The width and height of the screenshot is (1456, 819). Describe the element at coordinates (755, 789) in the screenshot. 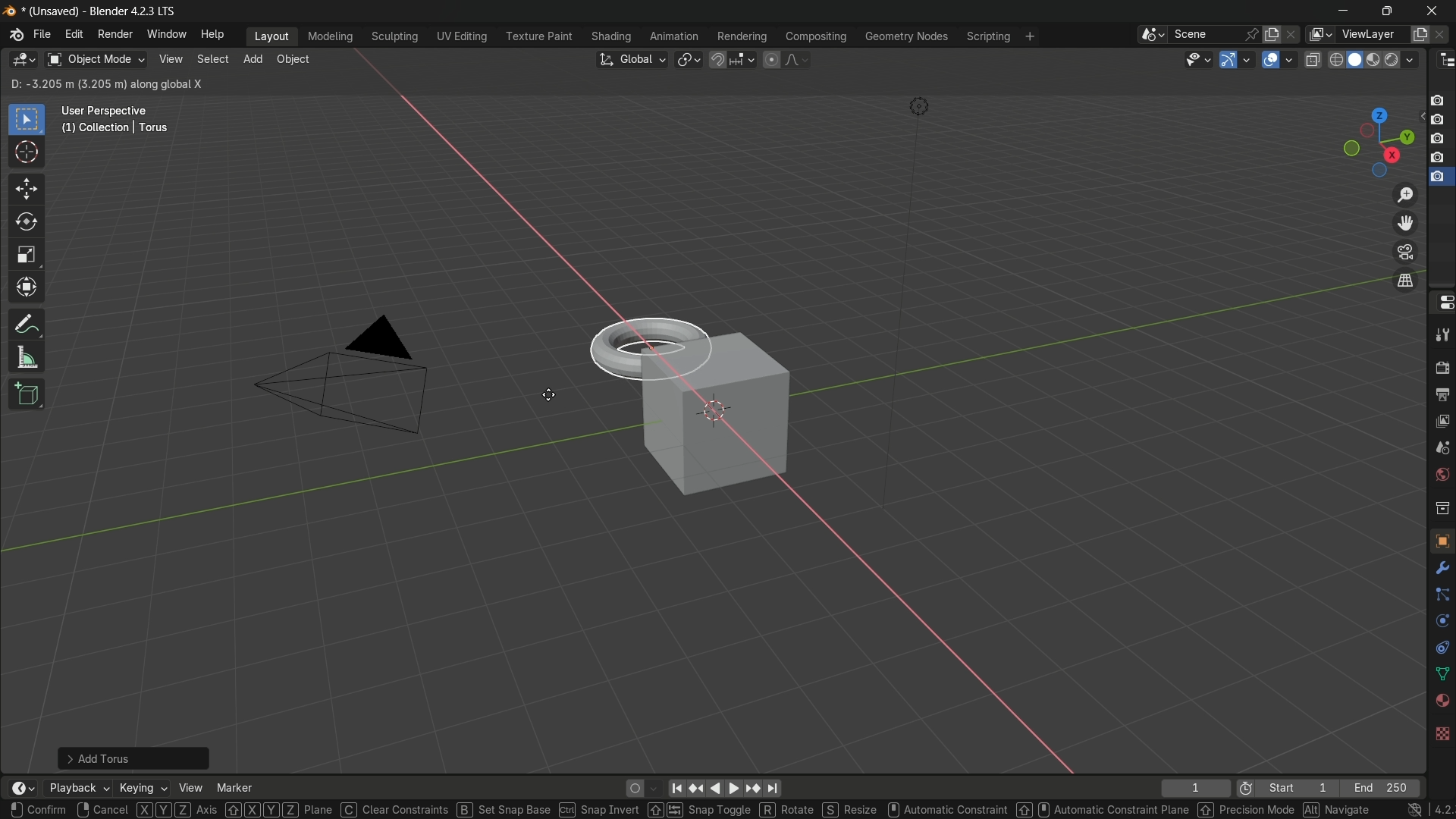

I see `jump to keyframe` at that location.